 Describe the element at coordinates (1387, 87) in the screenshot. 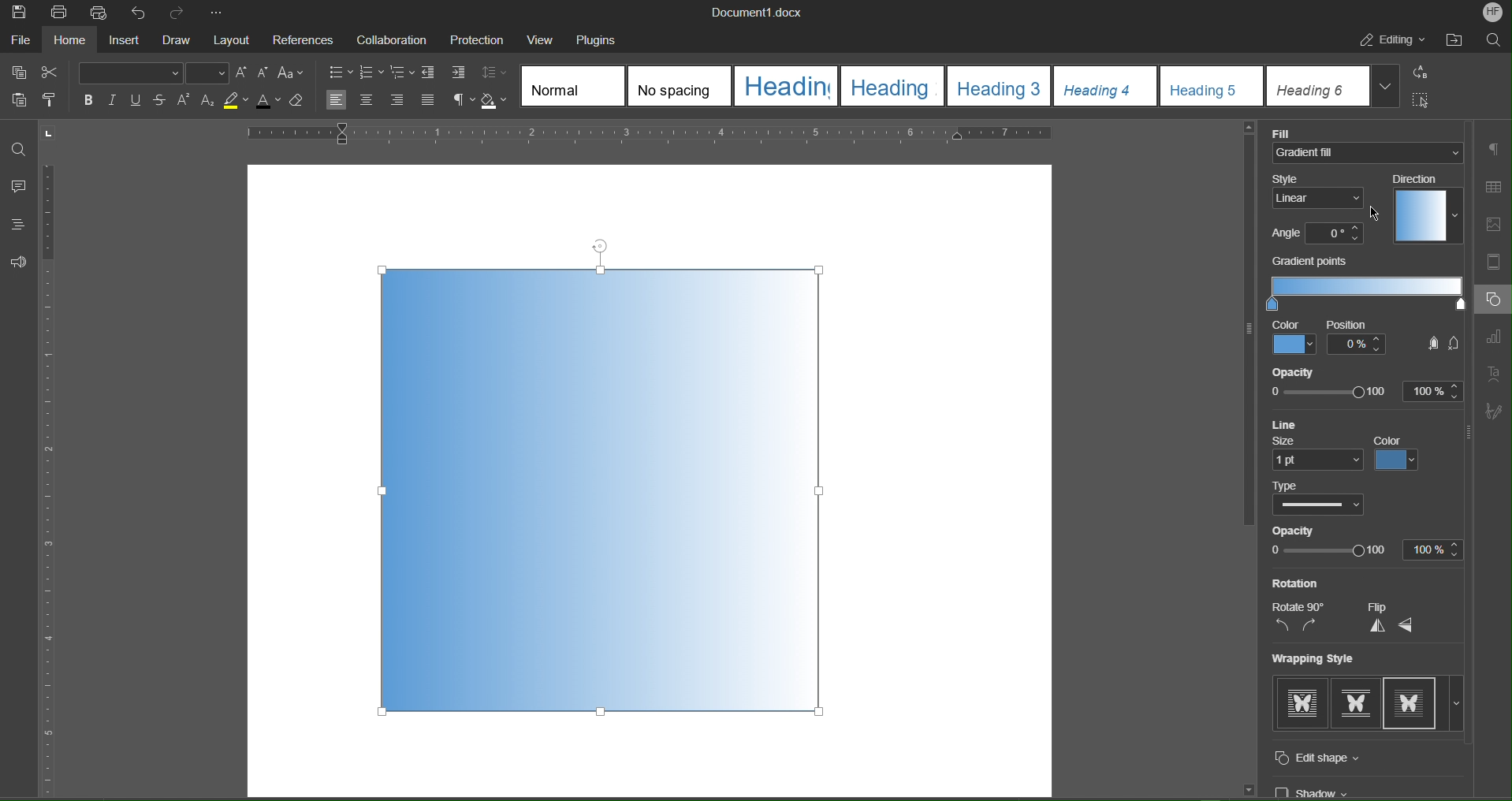

I see `More Headings` at that location.